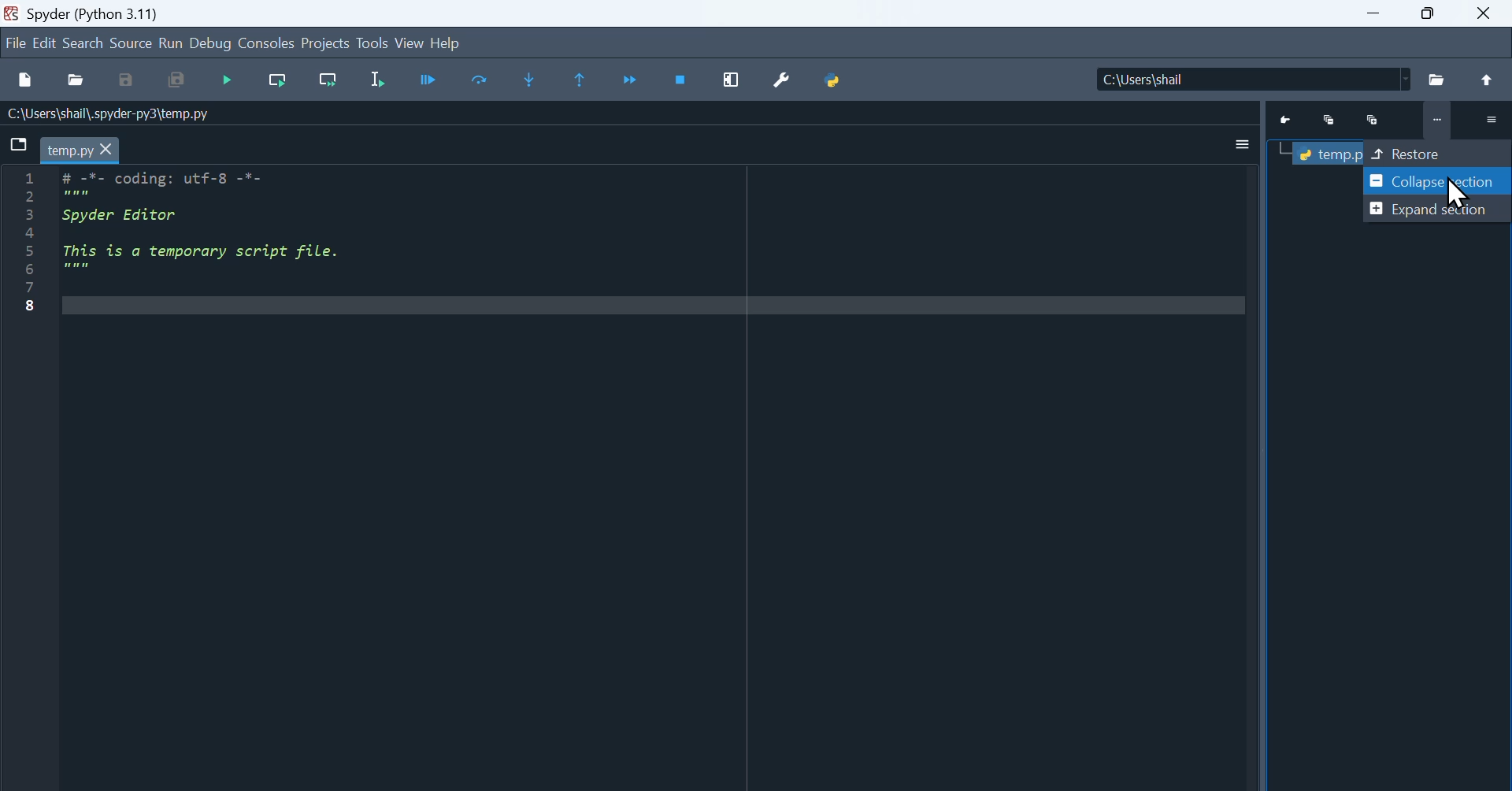 This screenshot has height=791, width=1512. I want to click on New files, so click(25, 80).